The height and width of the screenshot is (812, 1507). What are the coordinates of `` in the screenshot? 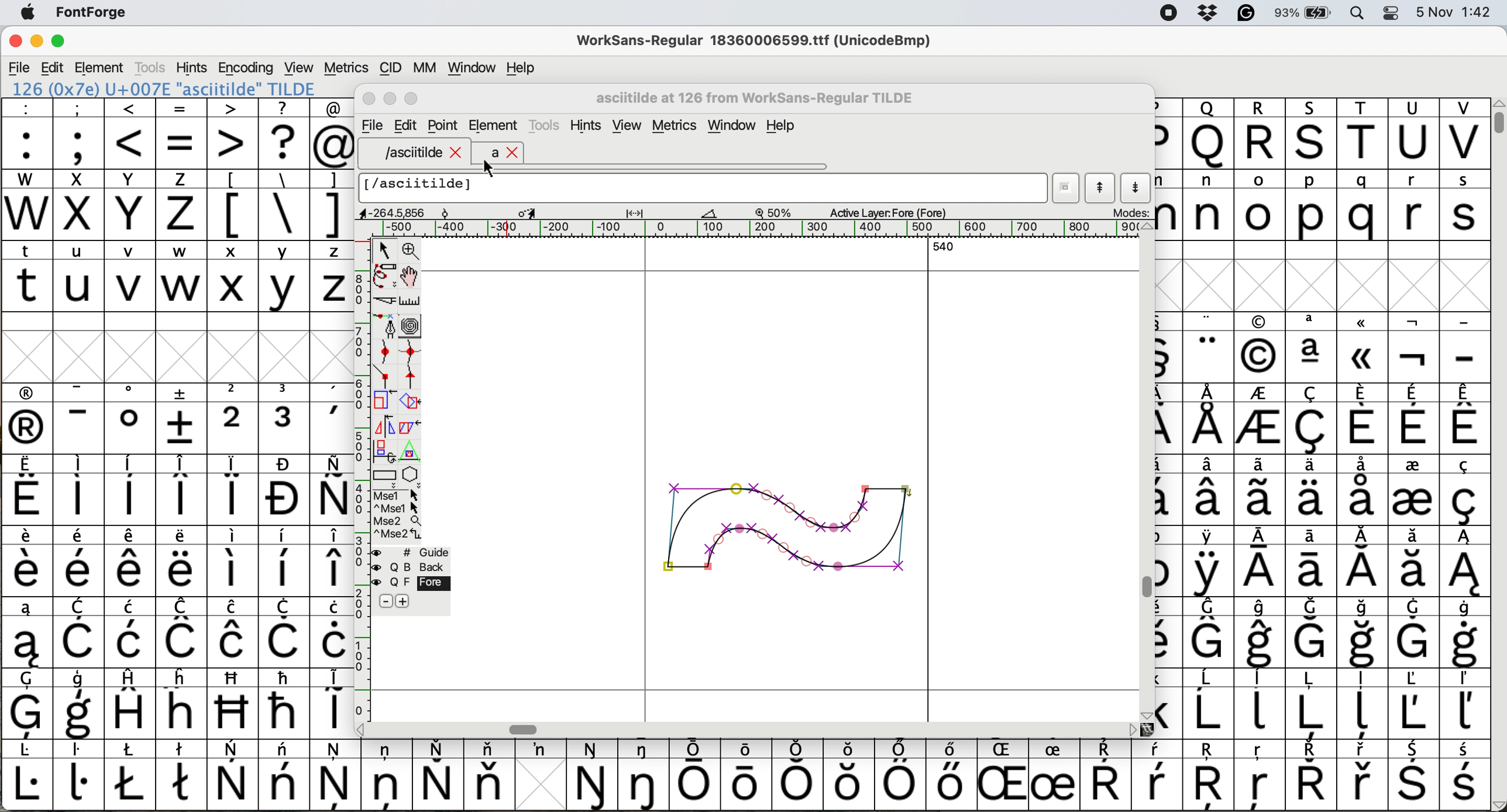 It's located at (1313, 133).